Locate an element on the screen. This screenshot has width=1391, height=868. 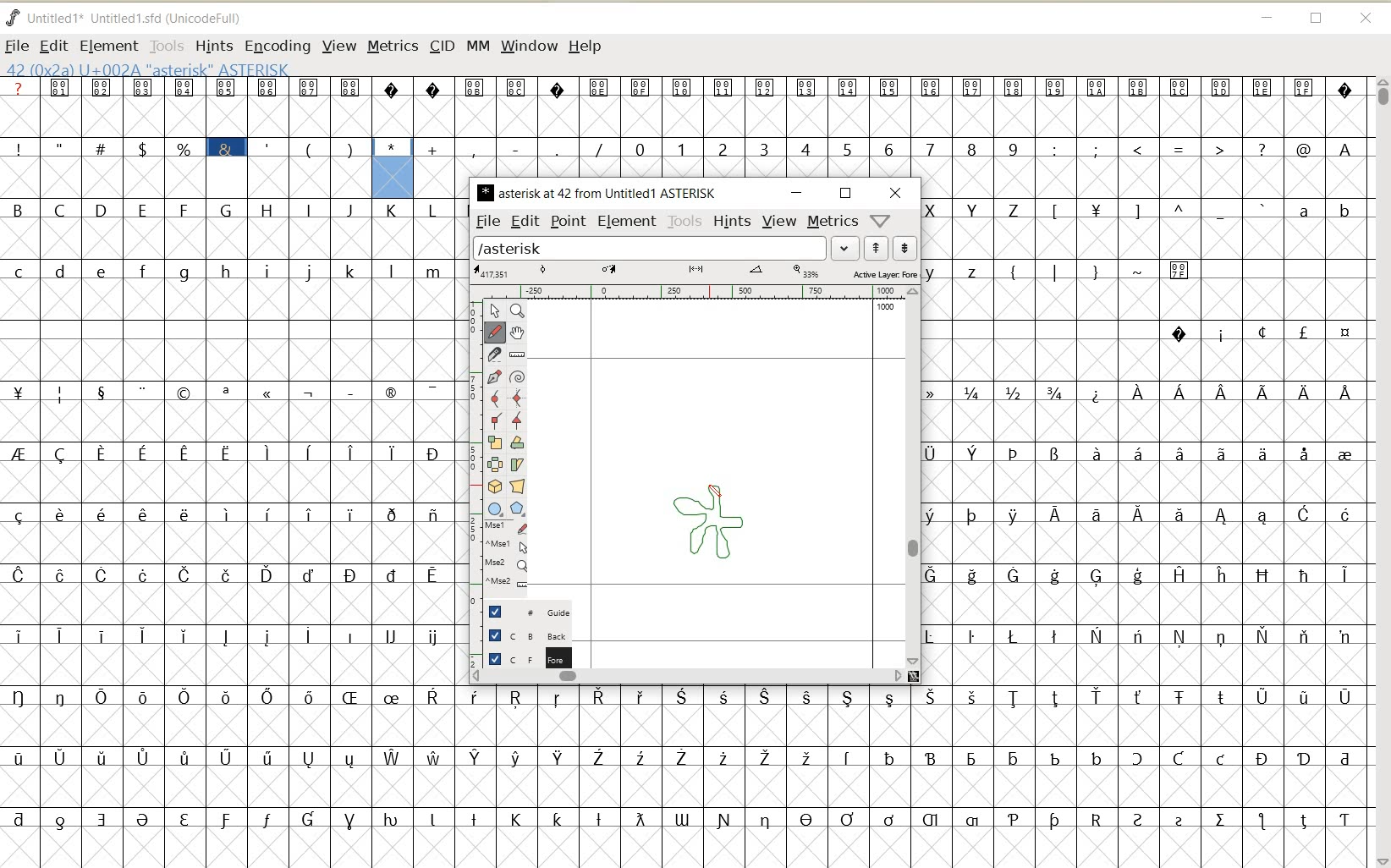
TOOLS is located at coordinates (684, 222).